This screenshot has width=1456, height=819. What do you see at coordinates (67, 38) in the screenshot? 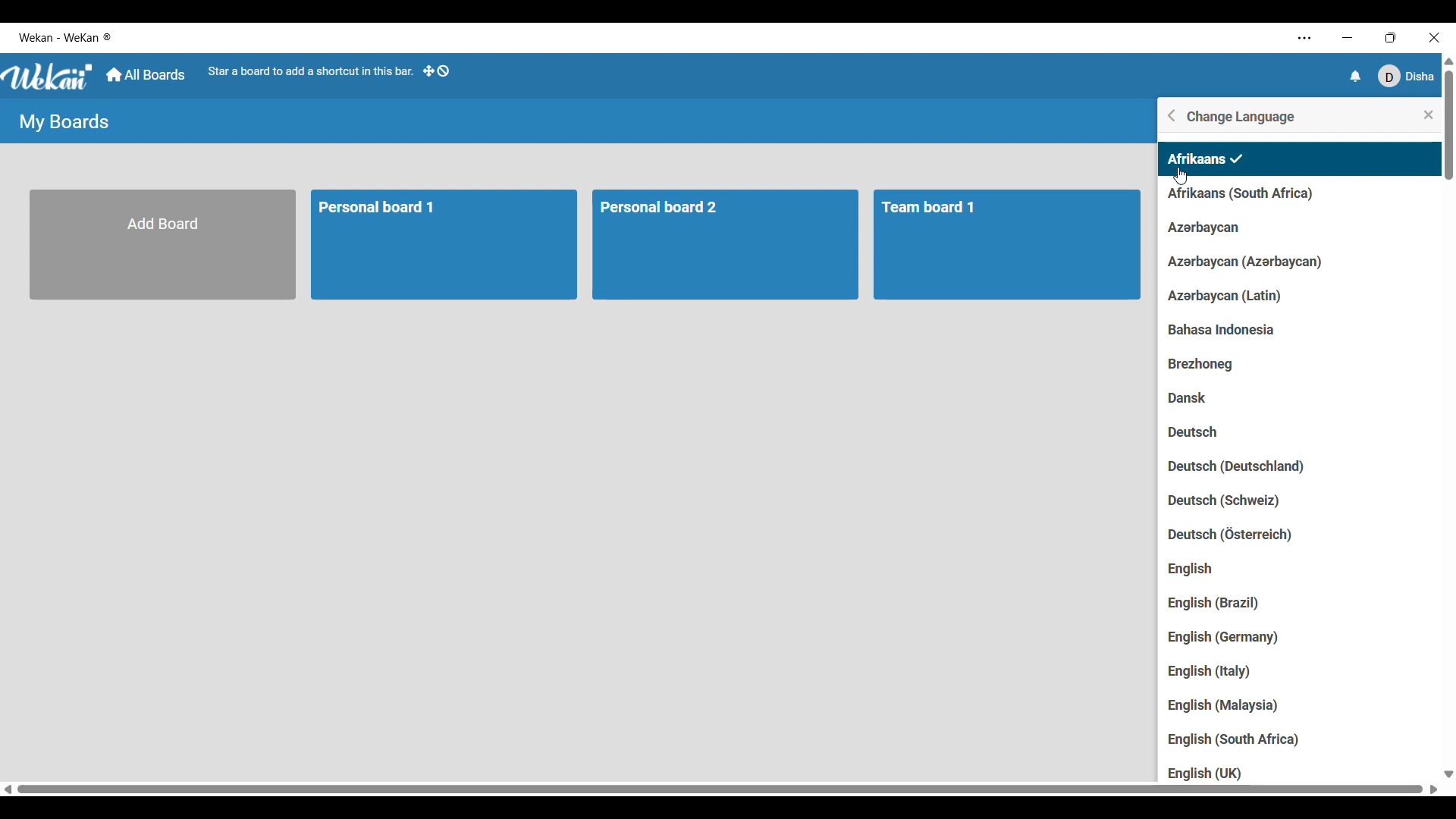
I see `Wekan - WeKan ®` at bounding box center [67, 38].